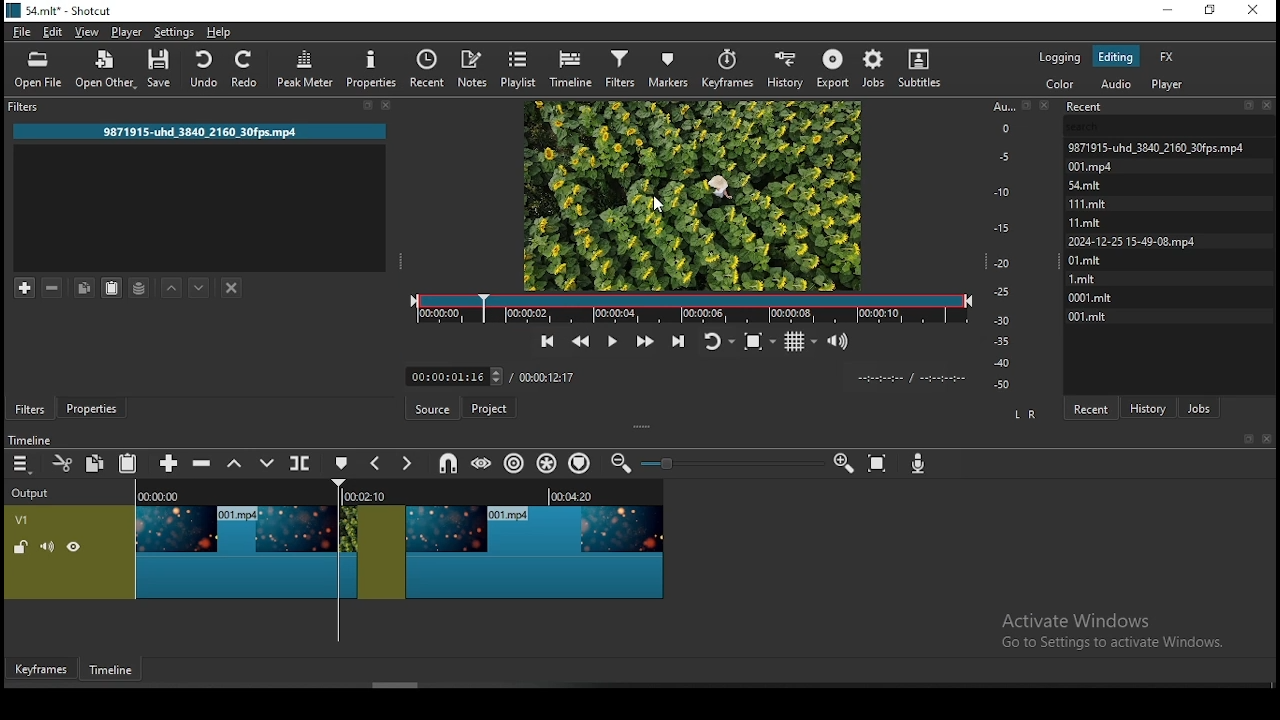 The image size is (1280, 720). Describe the element at coordinates (690, 308) in the screenshot. I see `Progress bar` at that location.